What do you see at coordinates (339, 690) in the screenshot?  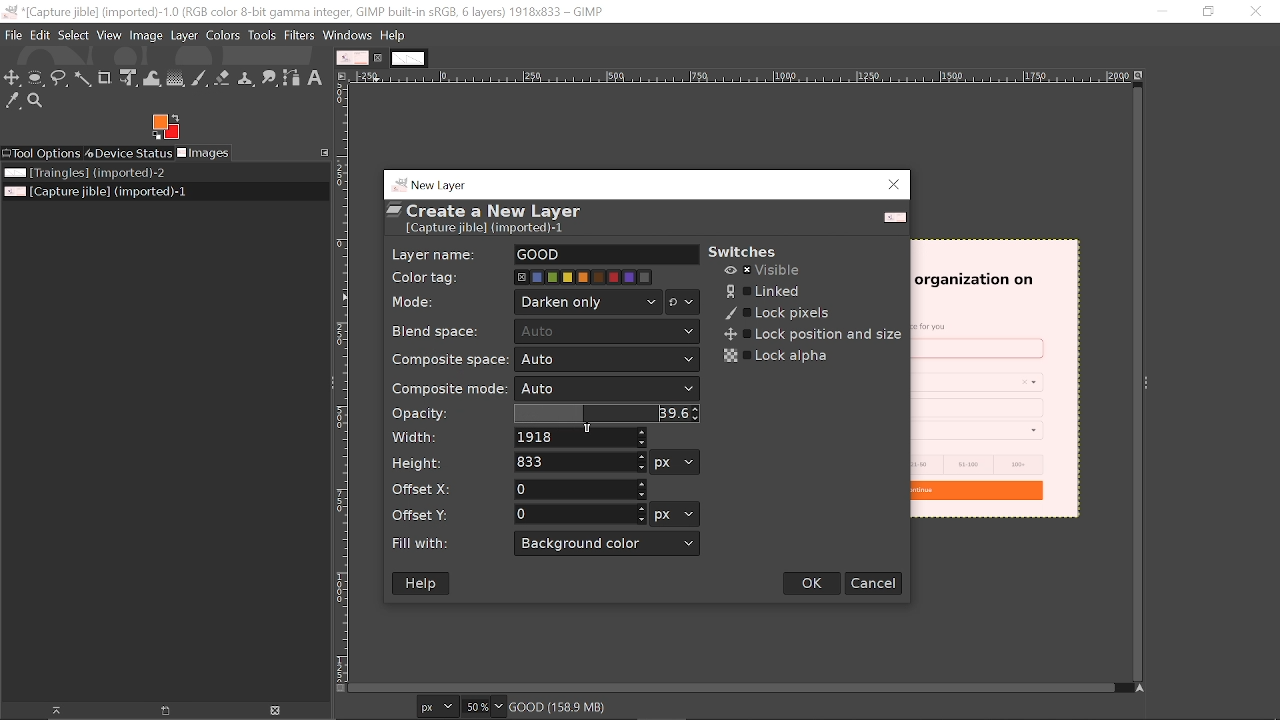 I see `Toggle quick mask on/off` at bounding box center [339, 690].